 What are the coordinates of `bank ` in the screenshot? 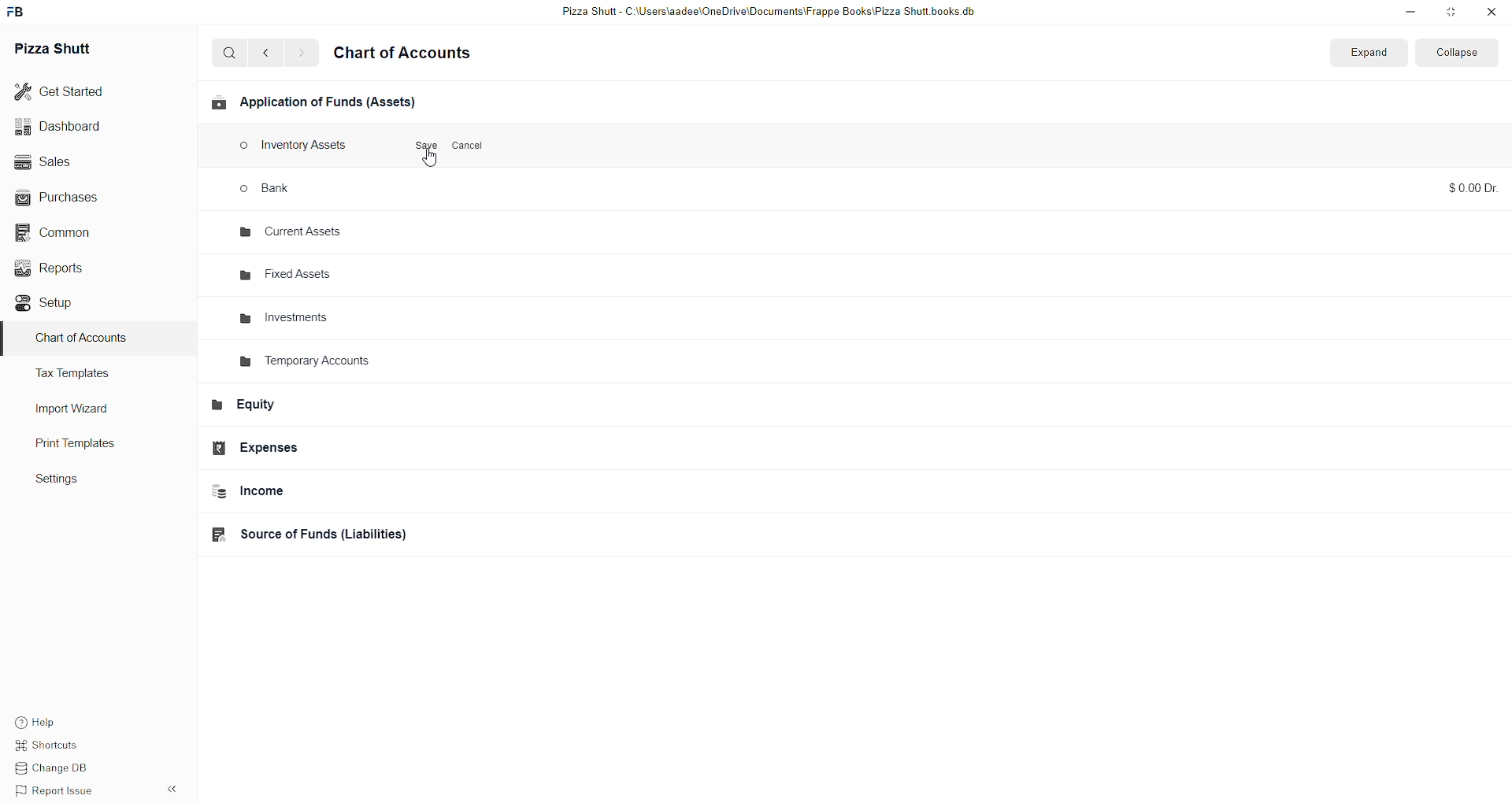 It's located at (299, 186).